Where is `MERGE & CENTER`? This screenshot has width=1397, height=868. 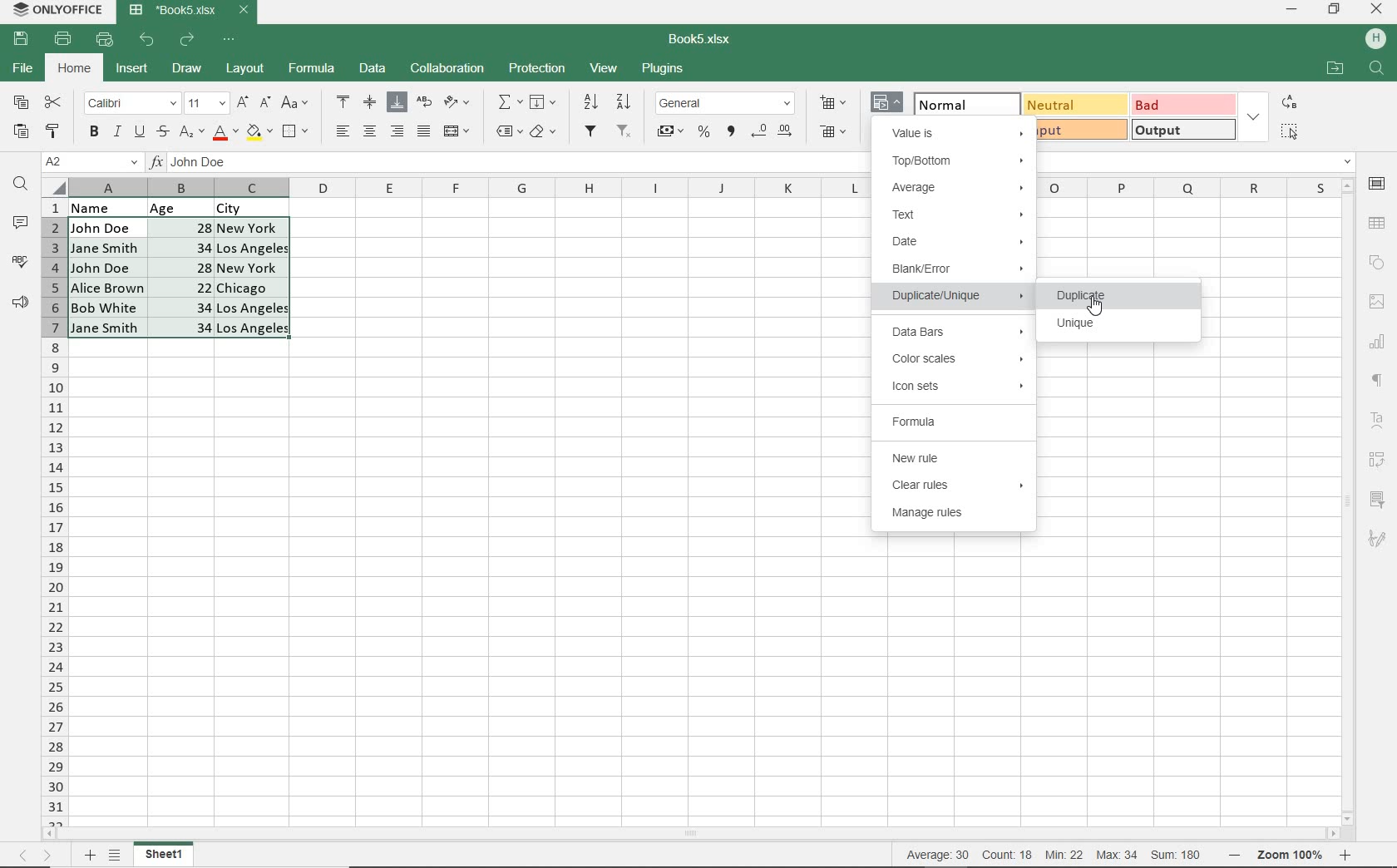
MERGE & CENTER is located at coordinates (457, 131).